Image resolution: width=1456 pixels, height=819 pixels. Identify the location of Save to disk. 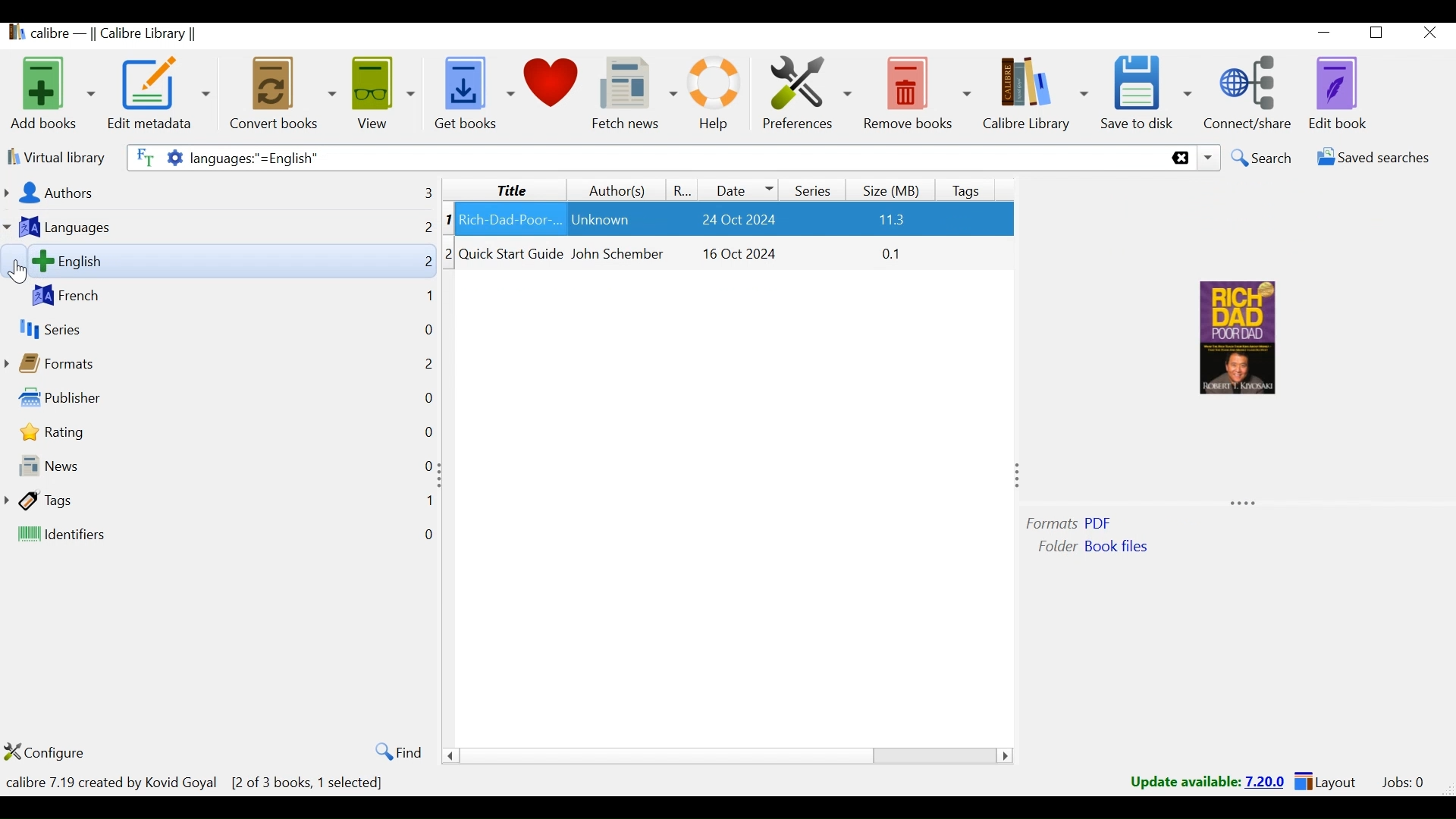
(1146, 93).